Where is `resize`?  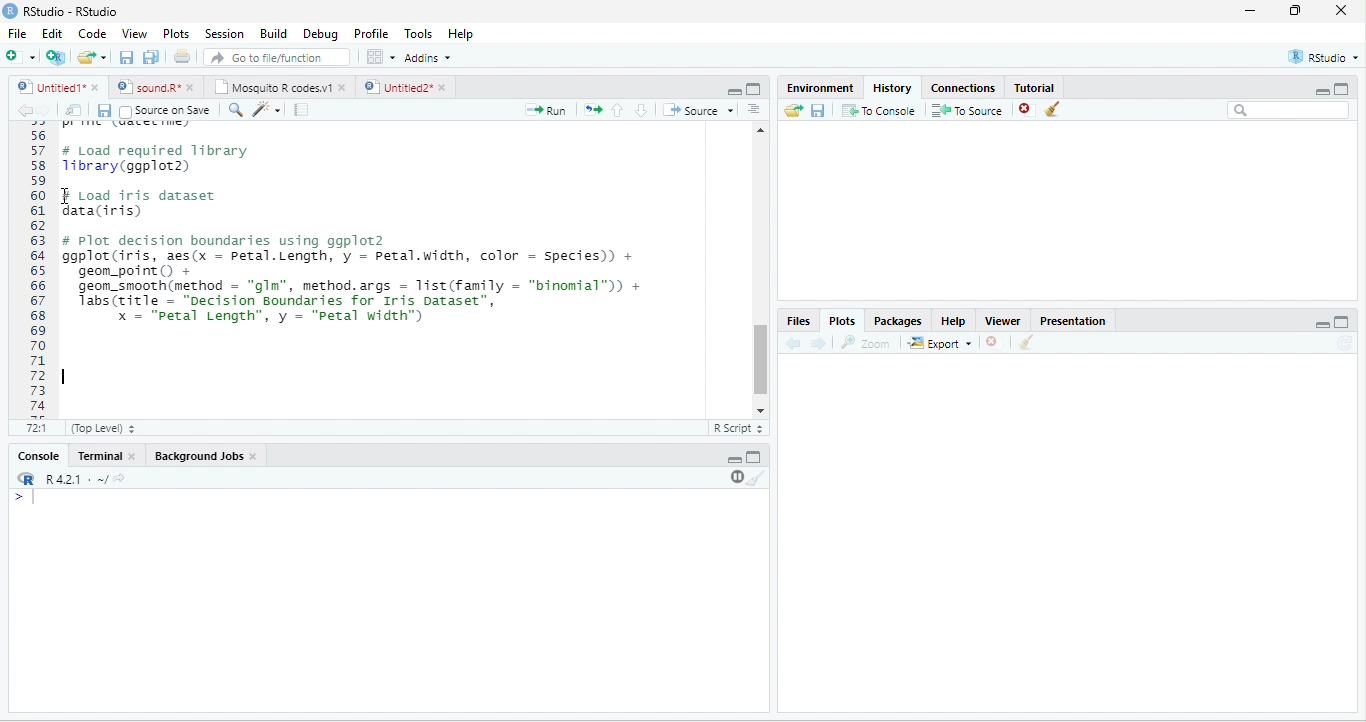
resize is located at coordinates (1296, 10).